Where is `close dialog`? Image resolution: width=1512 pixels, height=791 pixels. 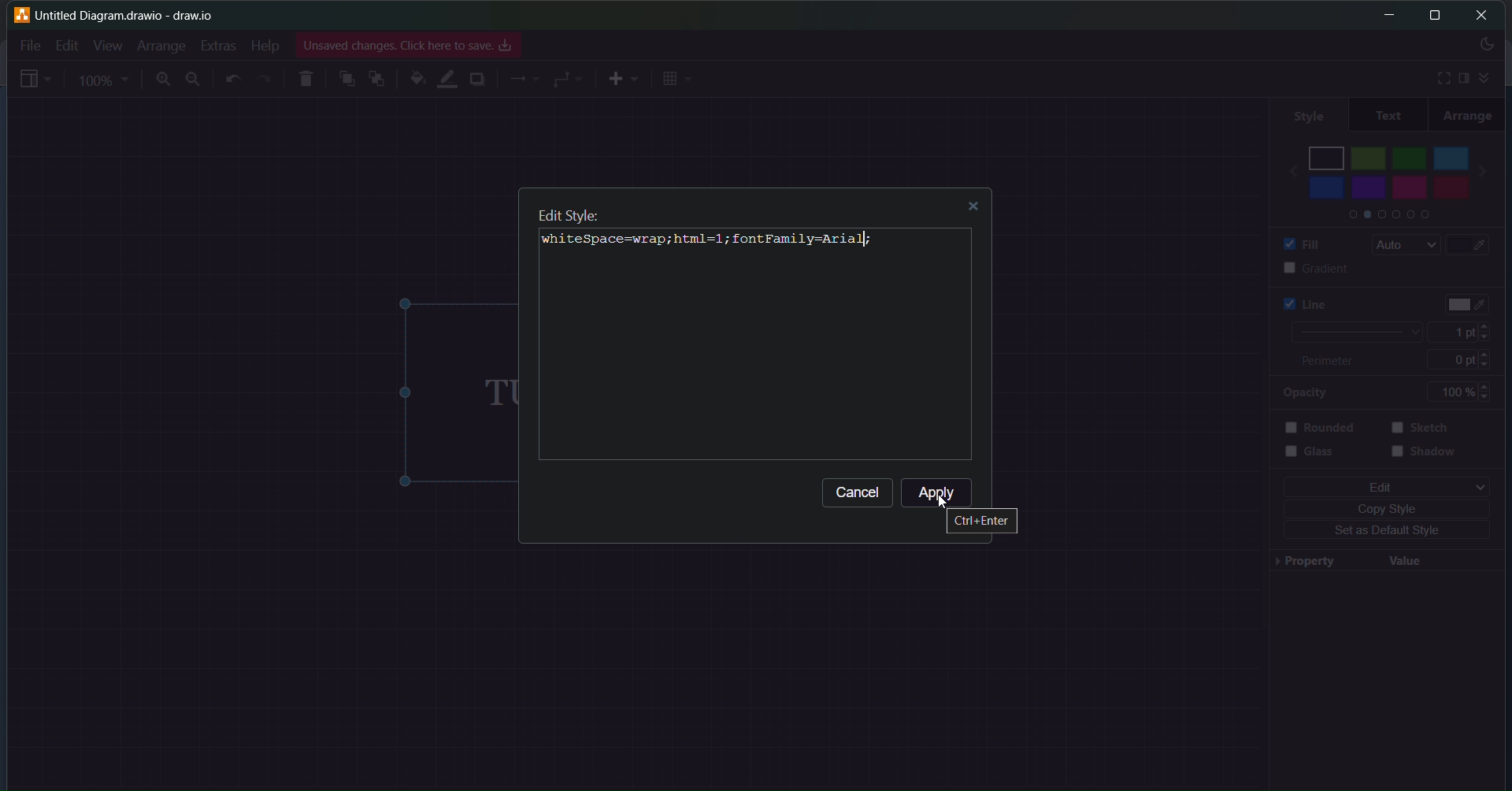 close dialog is located at coordinates (977, 209).